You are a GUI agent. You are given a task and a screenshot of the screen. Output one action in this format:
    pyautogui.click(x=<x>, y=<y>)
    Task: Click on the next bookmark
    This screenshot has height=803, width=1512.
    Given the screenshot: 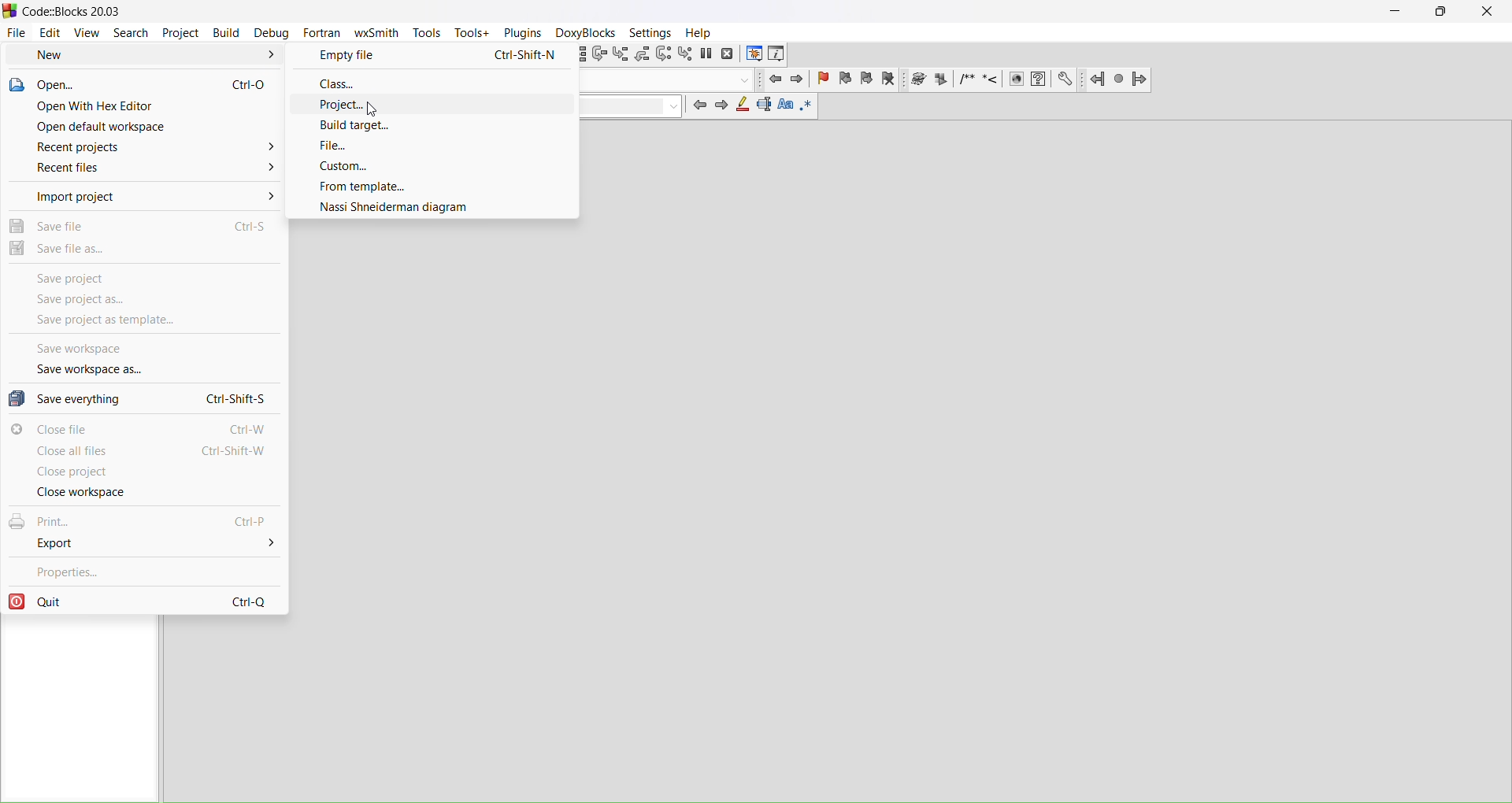 What is the action you would take?
    pyautogui.click(x=867, y=80)
    